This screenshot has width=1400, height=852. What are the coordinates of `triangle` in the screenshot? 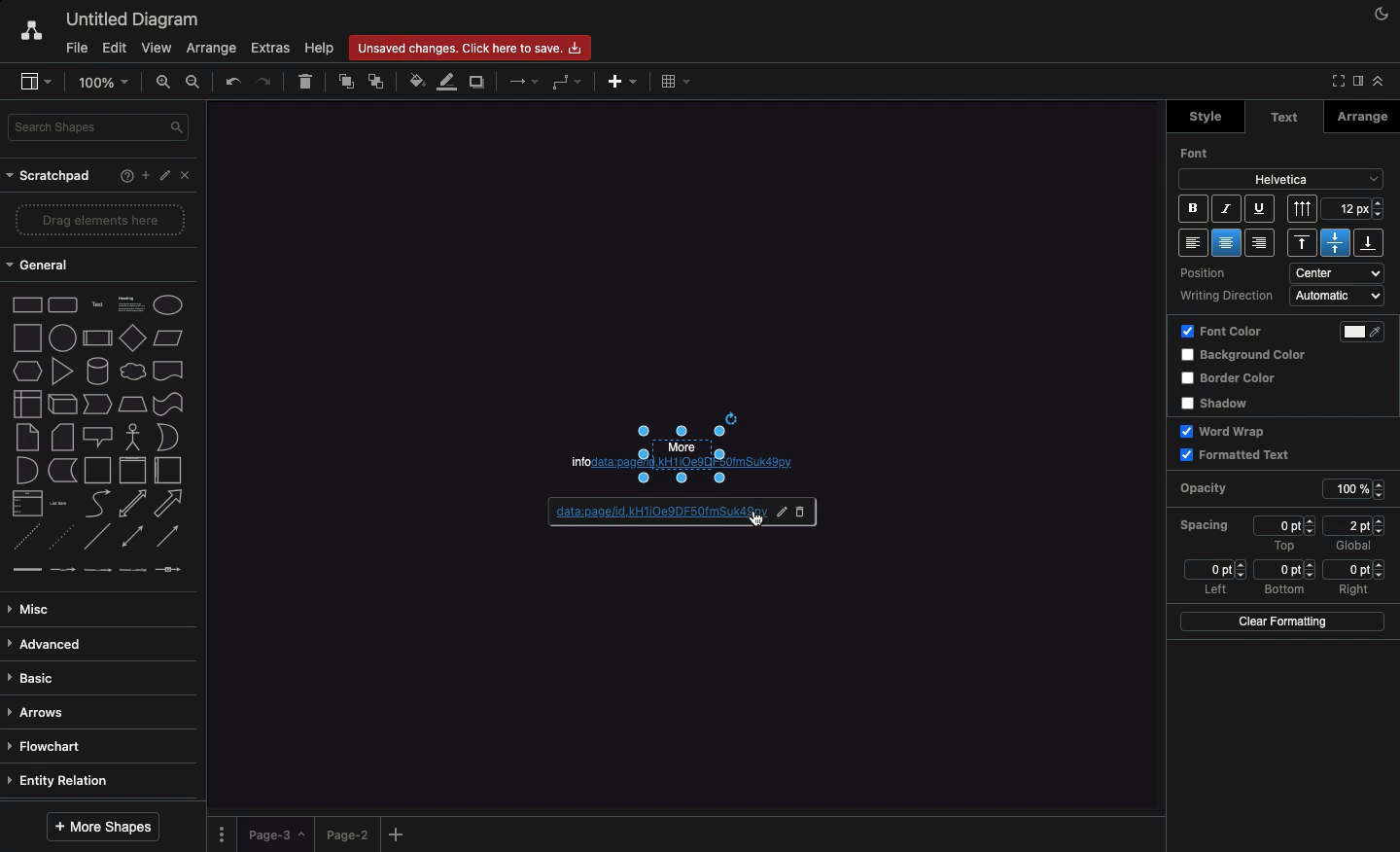 It's located at (63, 371).